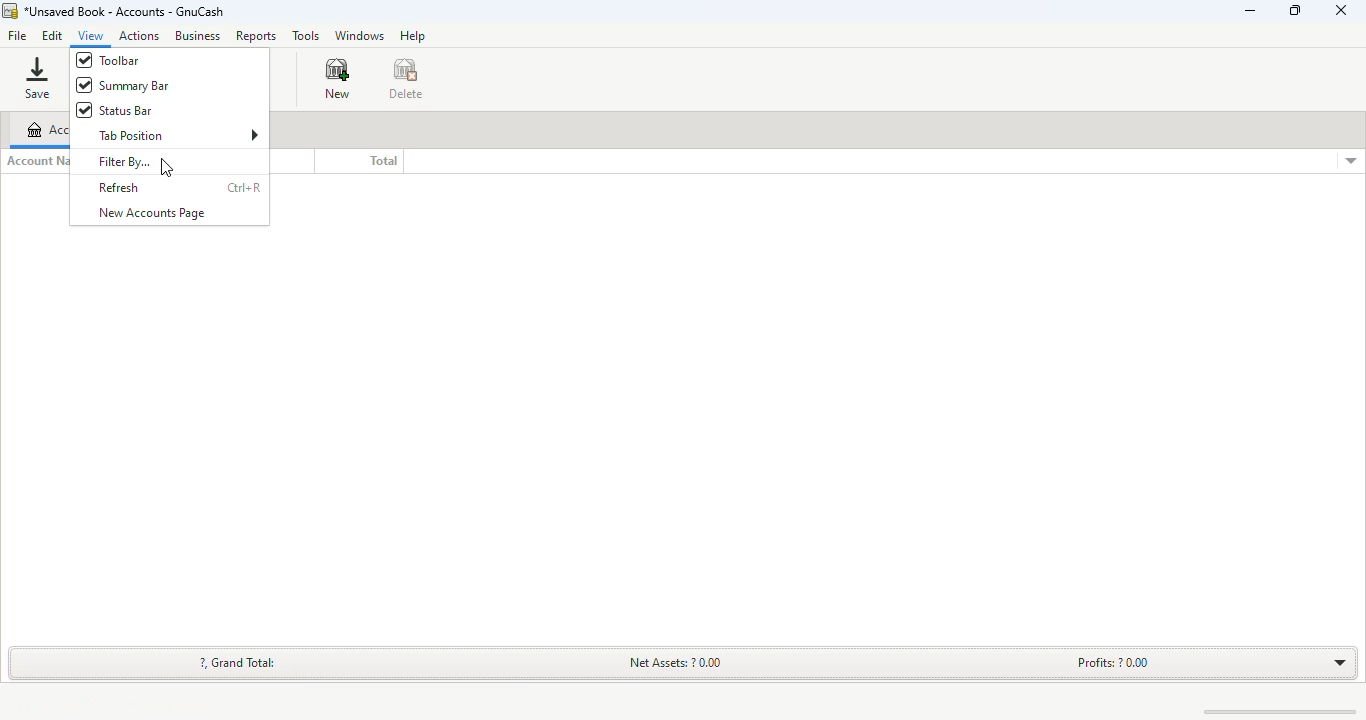 This screenshot has height=720, width=1366. I want to click on account name, so click(37, 161).